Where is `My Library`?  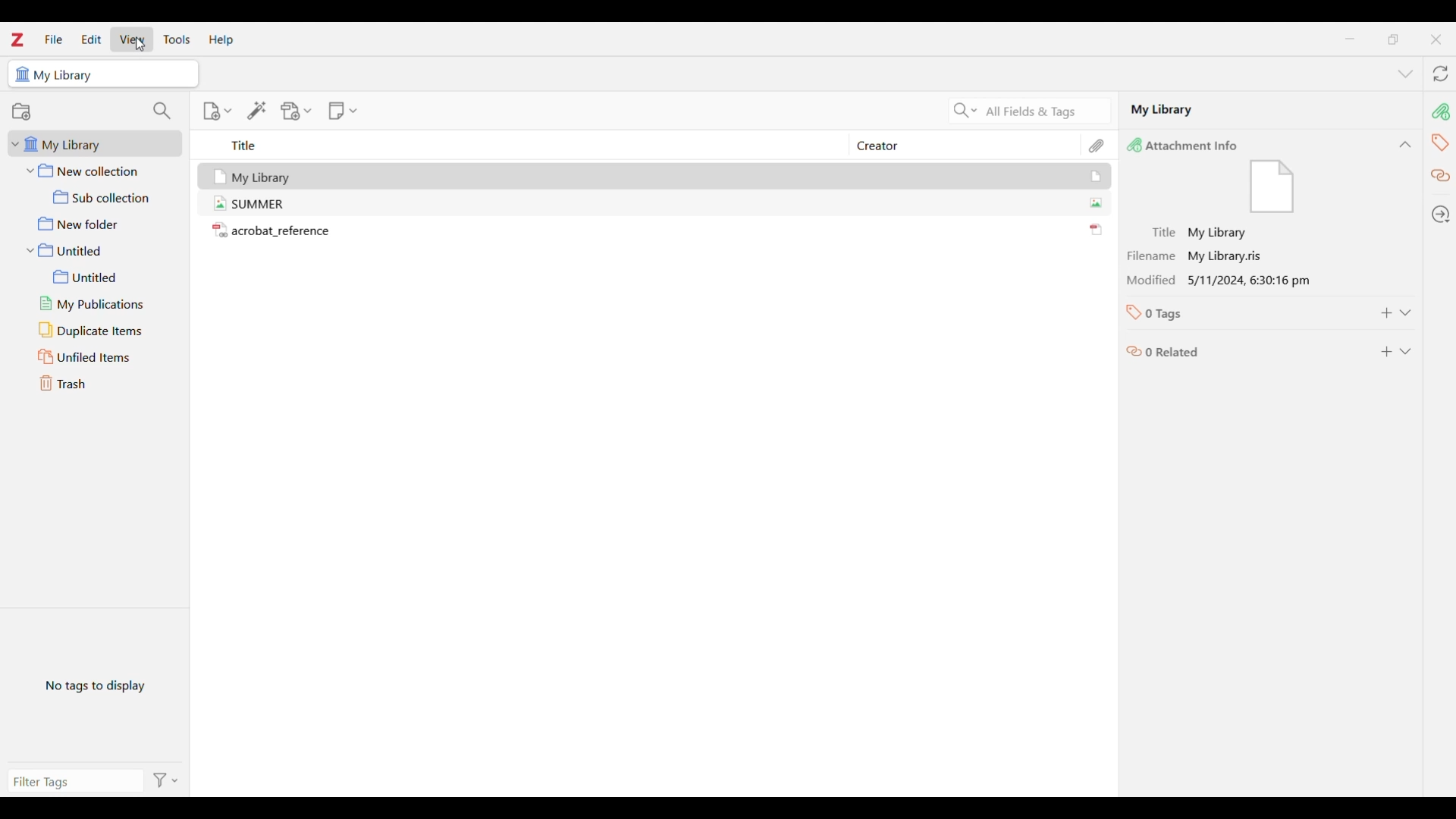
My Library is located at coordinates (271, 176).